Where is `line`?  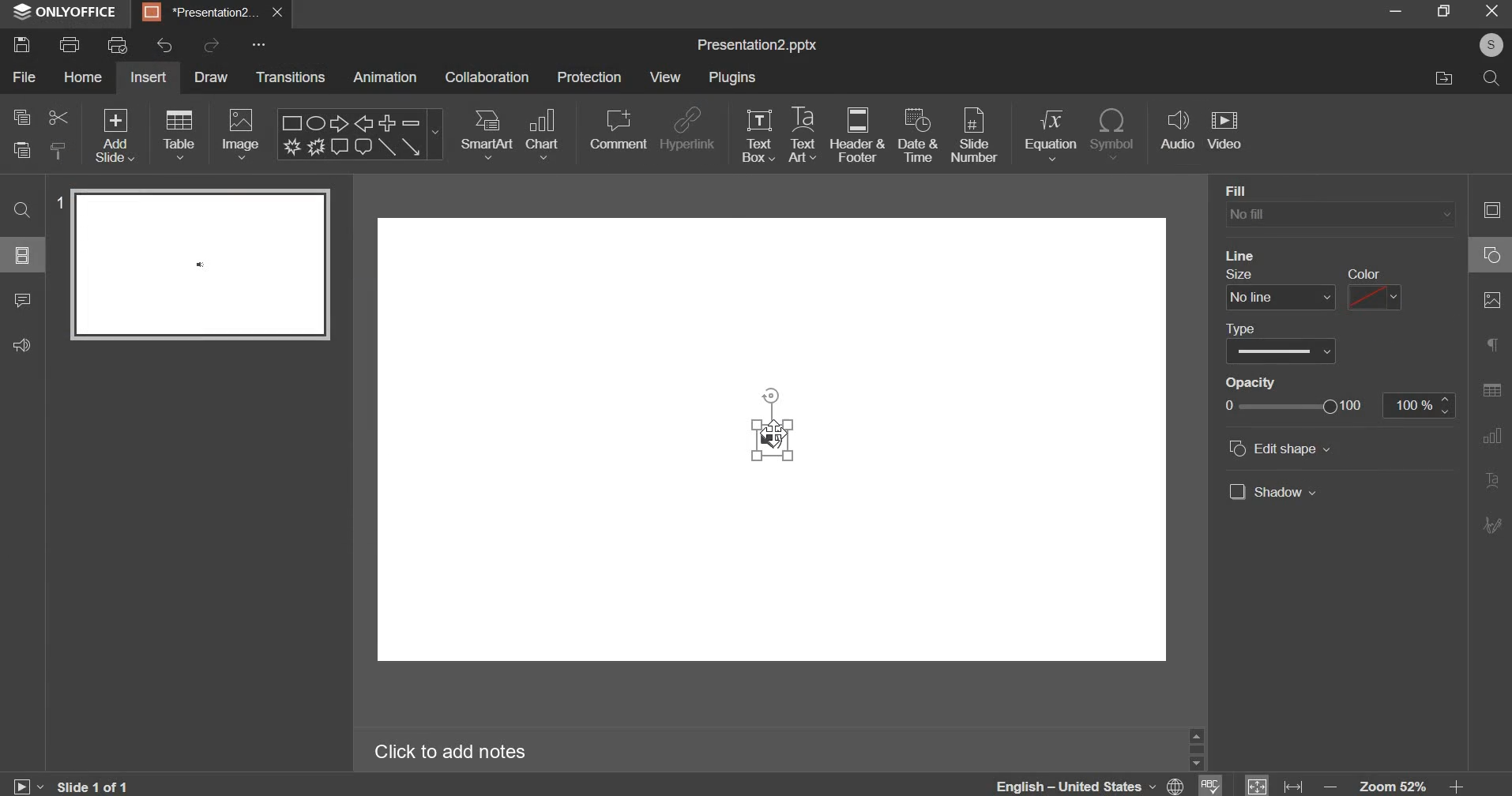
line is located at coordinates (1241, 255).